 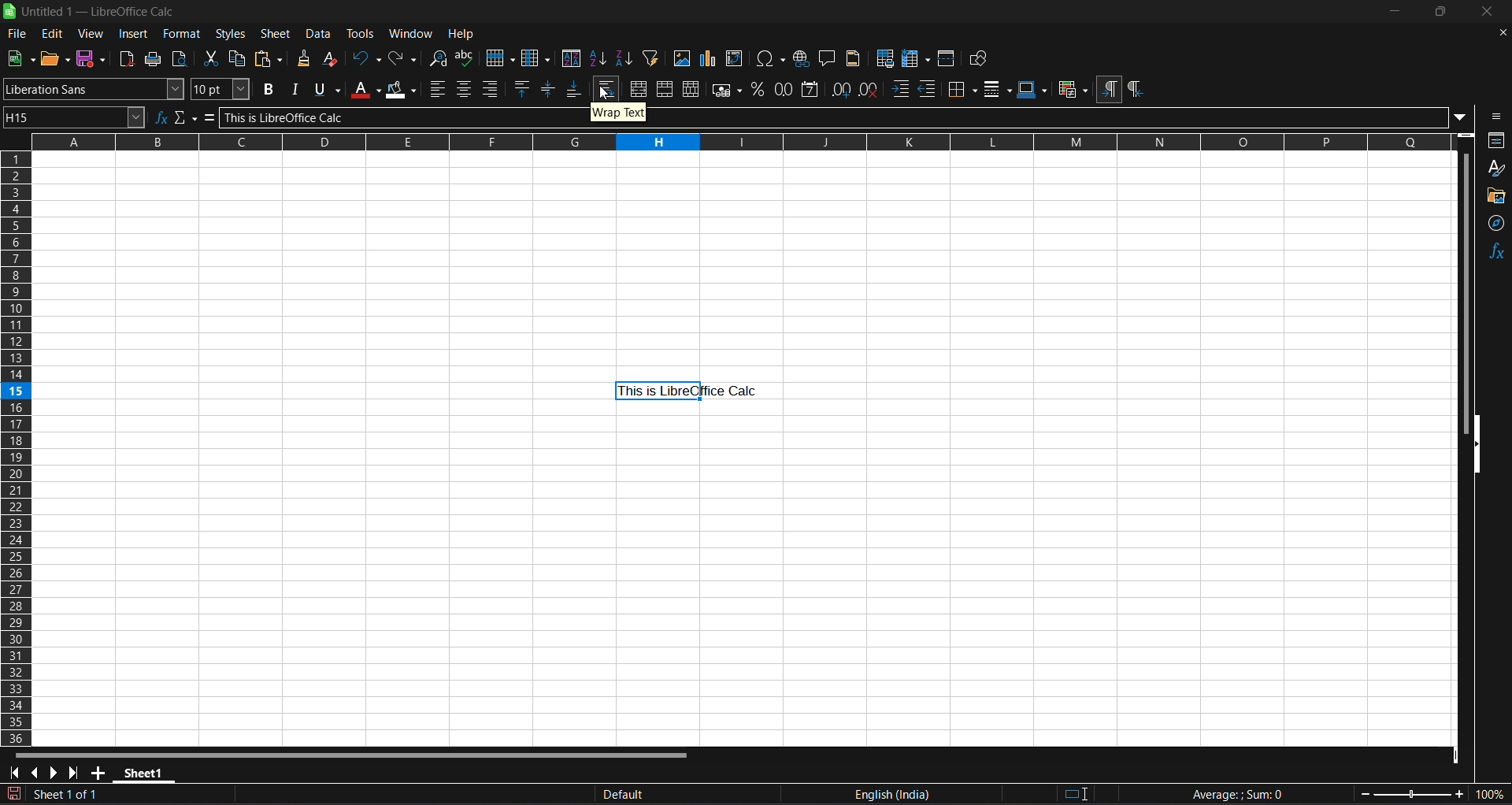 What do you see at coordinates (461, 35) in the screenshot?
I see `help` at bounding box center [461, 35].